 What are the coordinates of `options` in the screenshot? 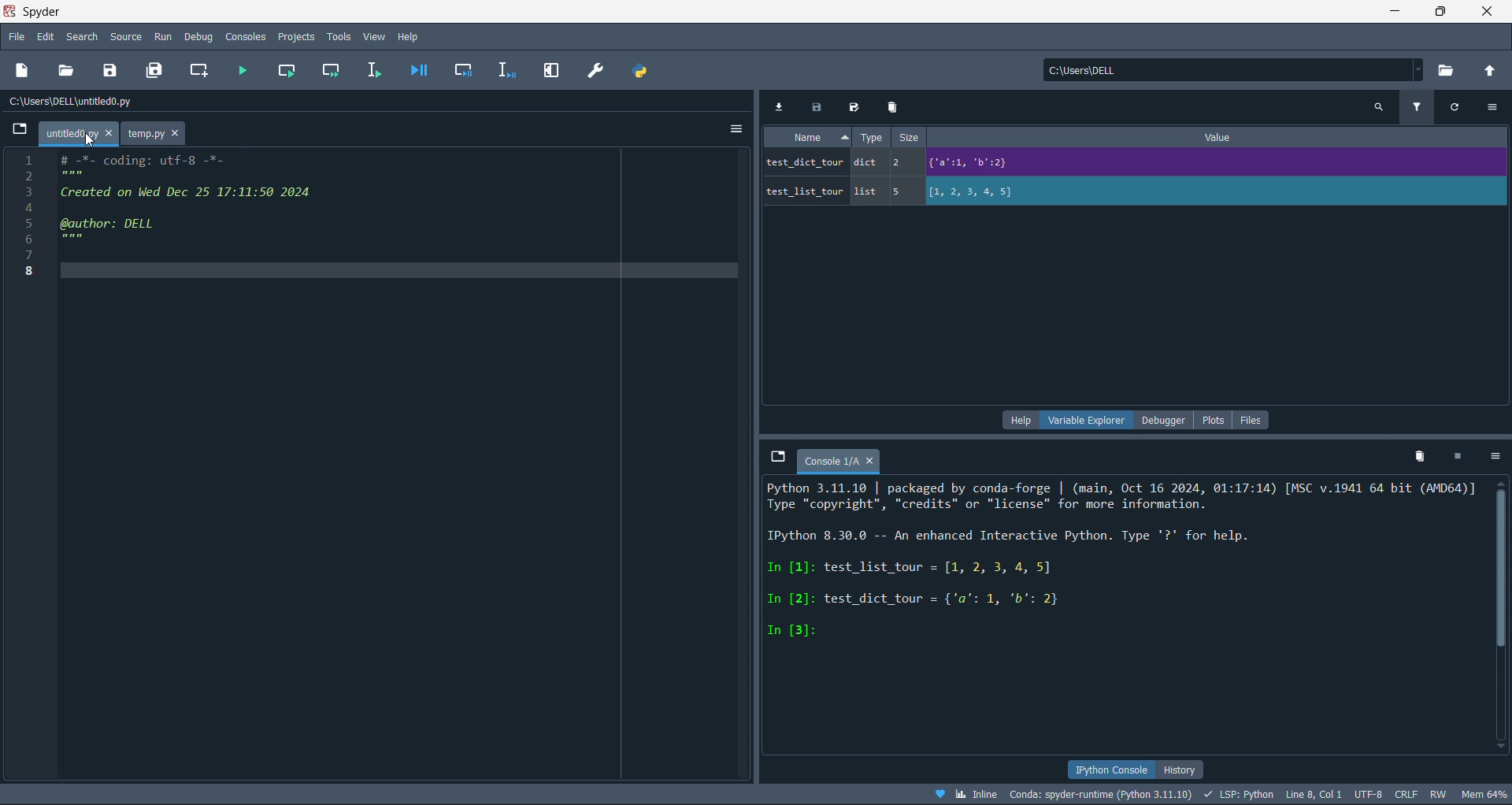 It's located at (736, 125).